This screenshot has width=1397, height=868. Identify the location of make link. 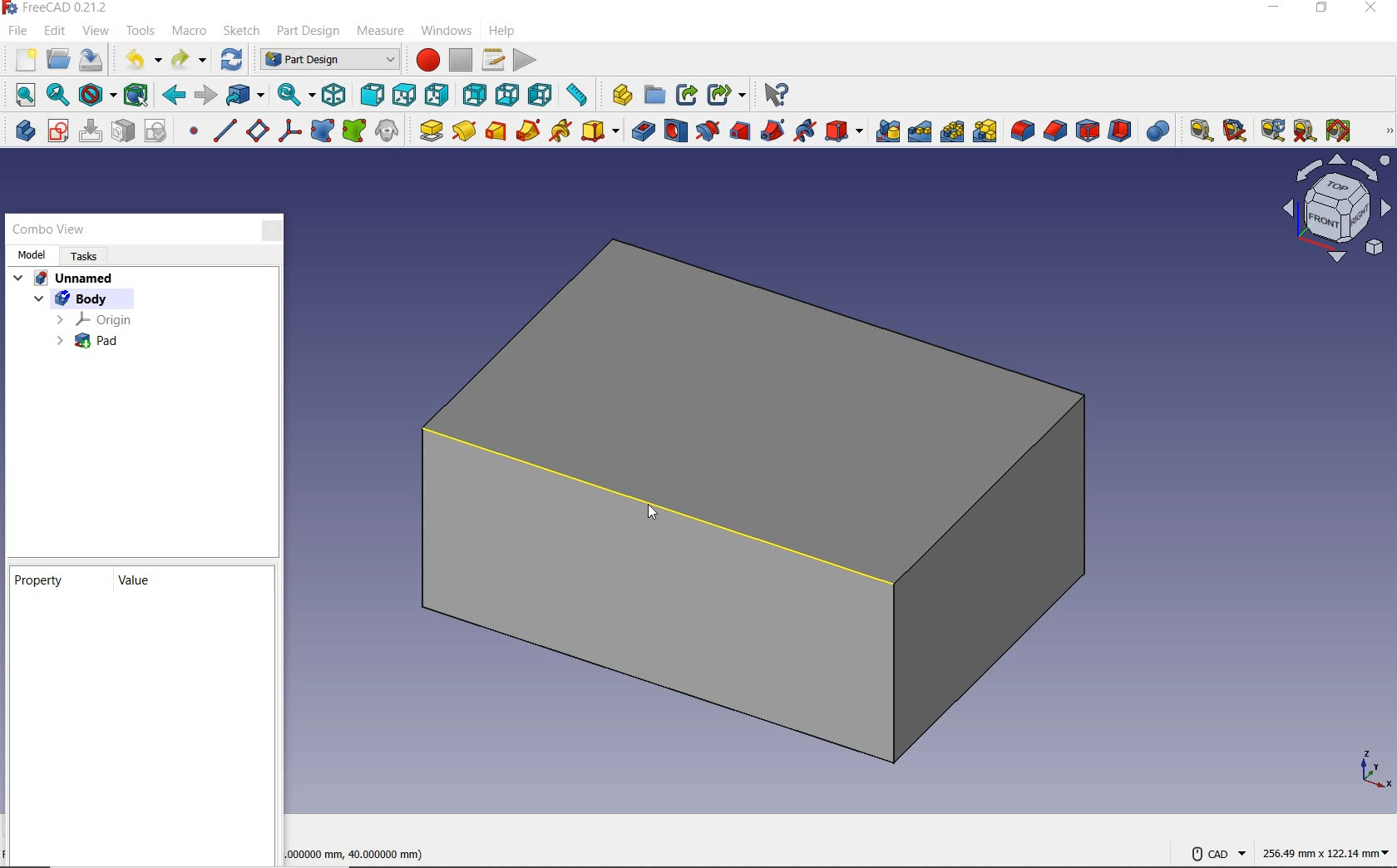
(686, 96).